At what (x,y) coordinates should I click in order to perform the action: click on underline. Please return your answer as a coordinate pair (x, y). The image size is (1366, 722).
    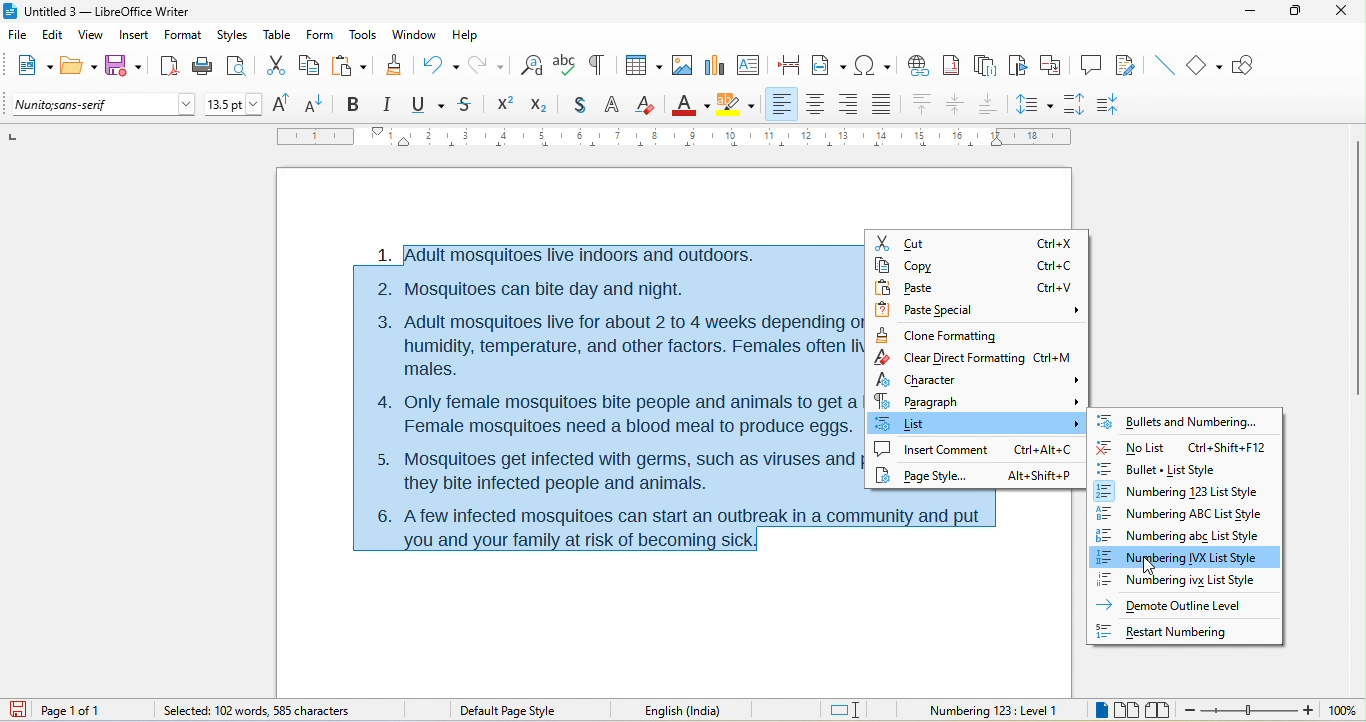
    Looking at the image, I should click on (429, 105).